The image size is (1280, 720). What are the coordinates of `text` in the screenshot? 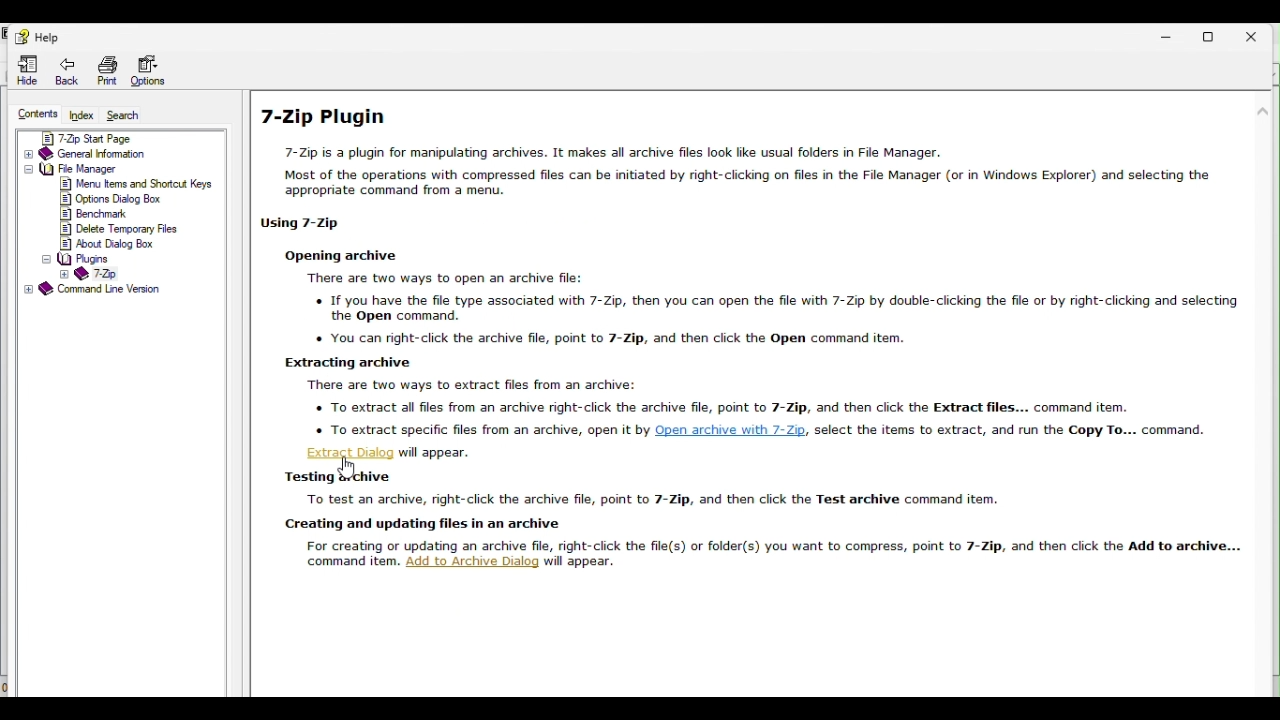 It's located at (649, 500).